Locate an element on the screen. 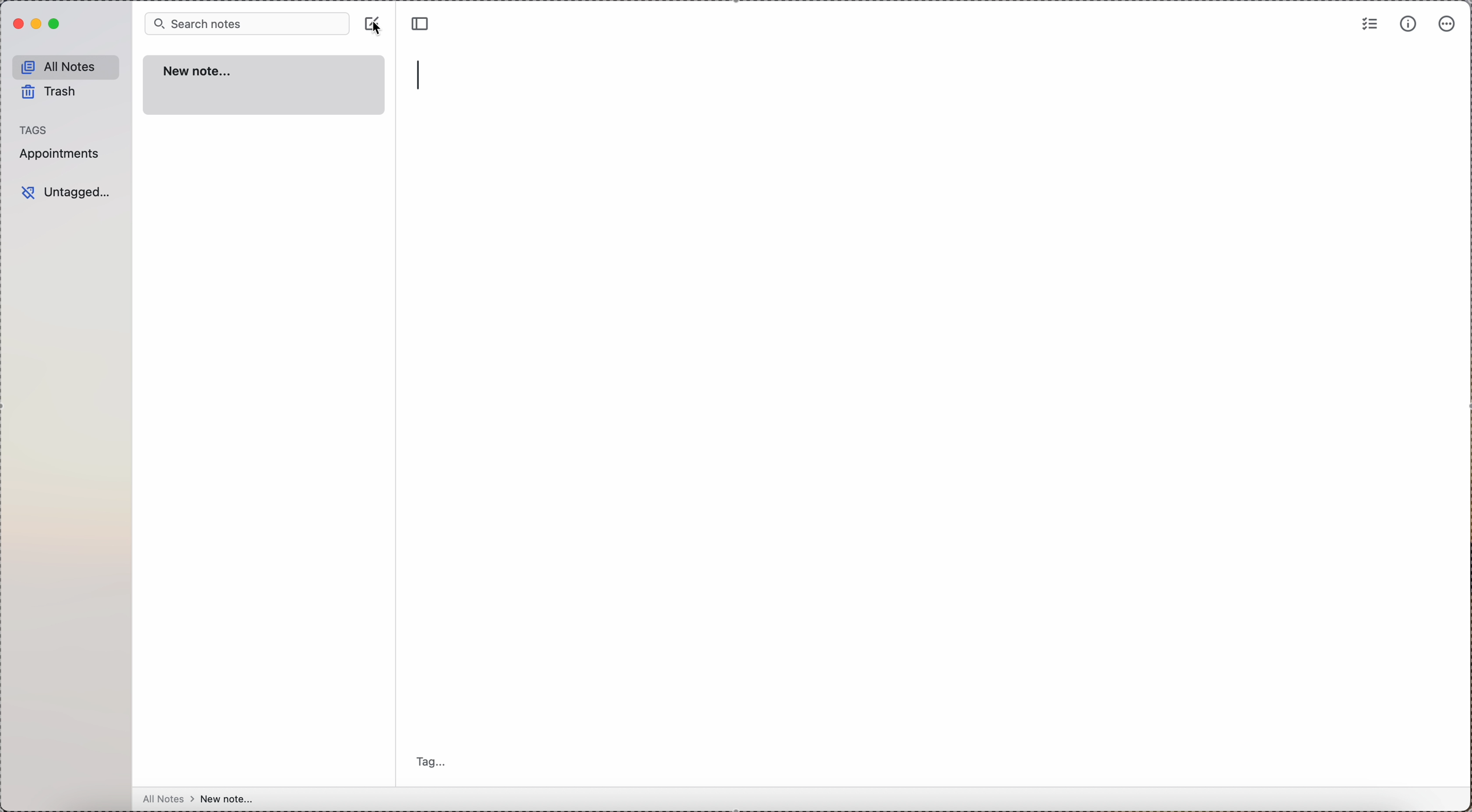  new note is located at coordinates (264, 86).